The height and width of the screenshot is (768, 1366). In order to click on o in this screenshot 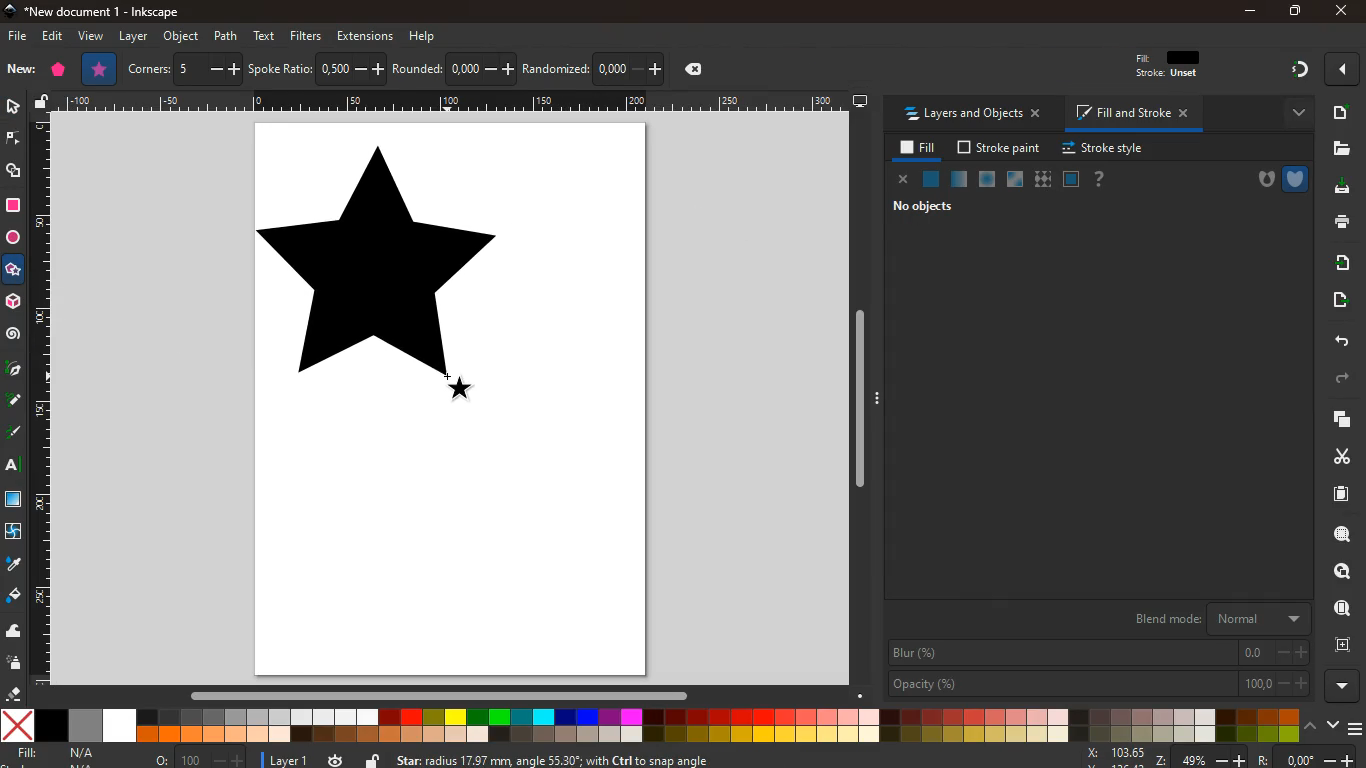, I will do `click(201, 759)`.